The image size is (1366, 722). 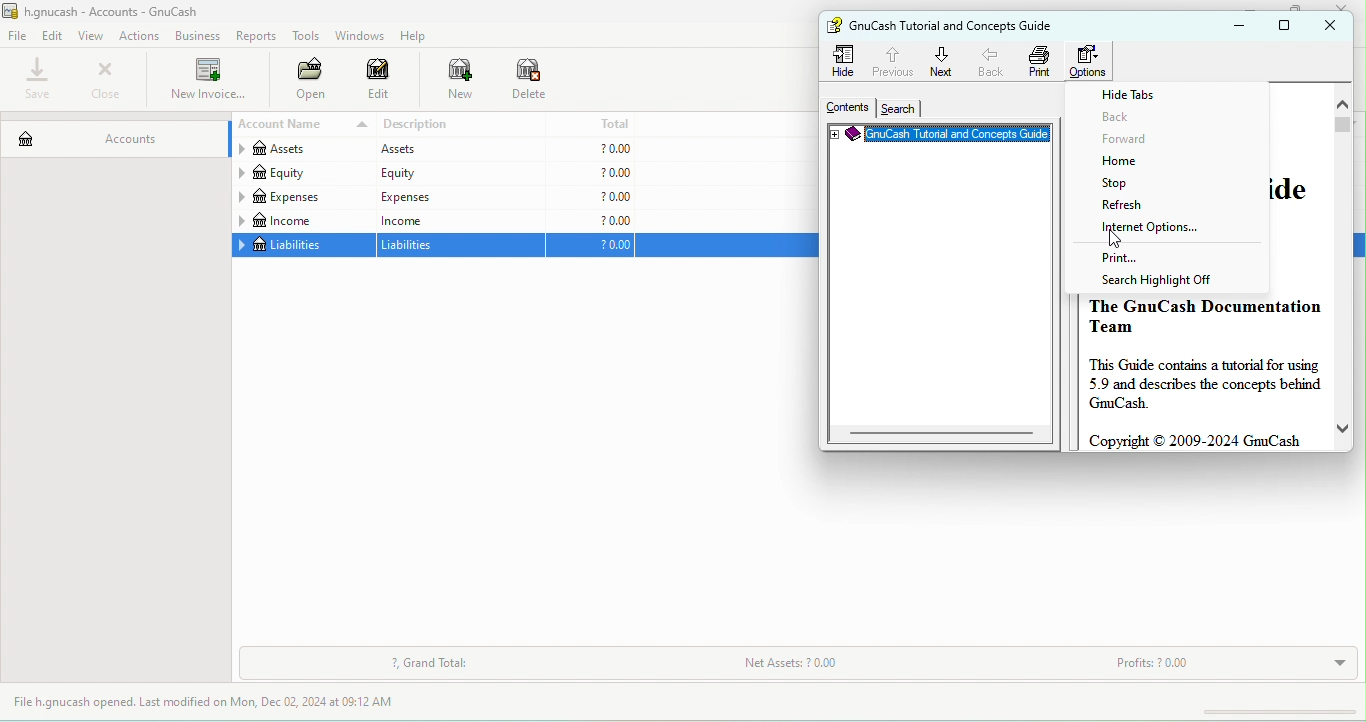 I want to click on description, so click(x=461, y=125).